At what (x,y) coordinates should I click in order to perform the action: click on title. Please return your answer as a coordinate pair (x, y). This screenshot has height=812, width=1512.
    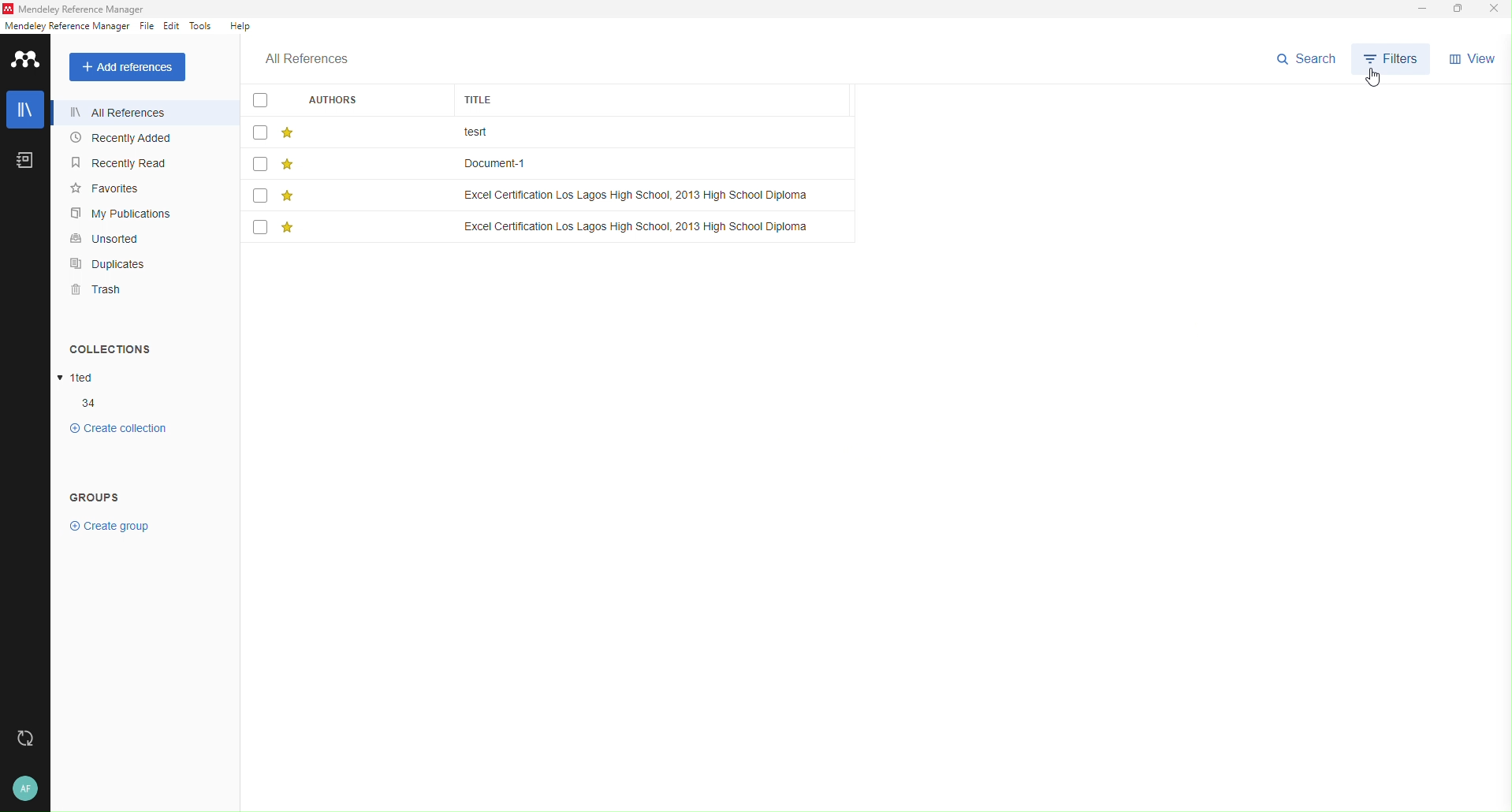
    Looking at the image, I should click on (501, 163).